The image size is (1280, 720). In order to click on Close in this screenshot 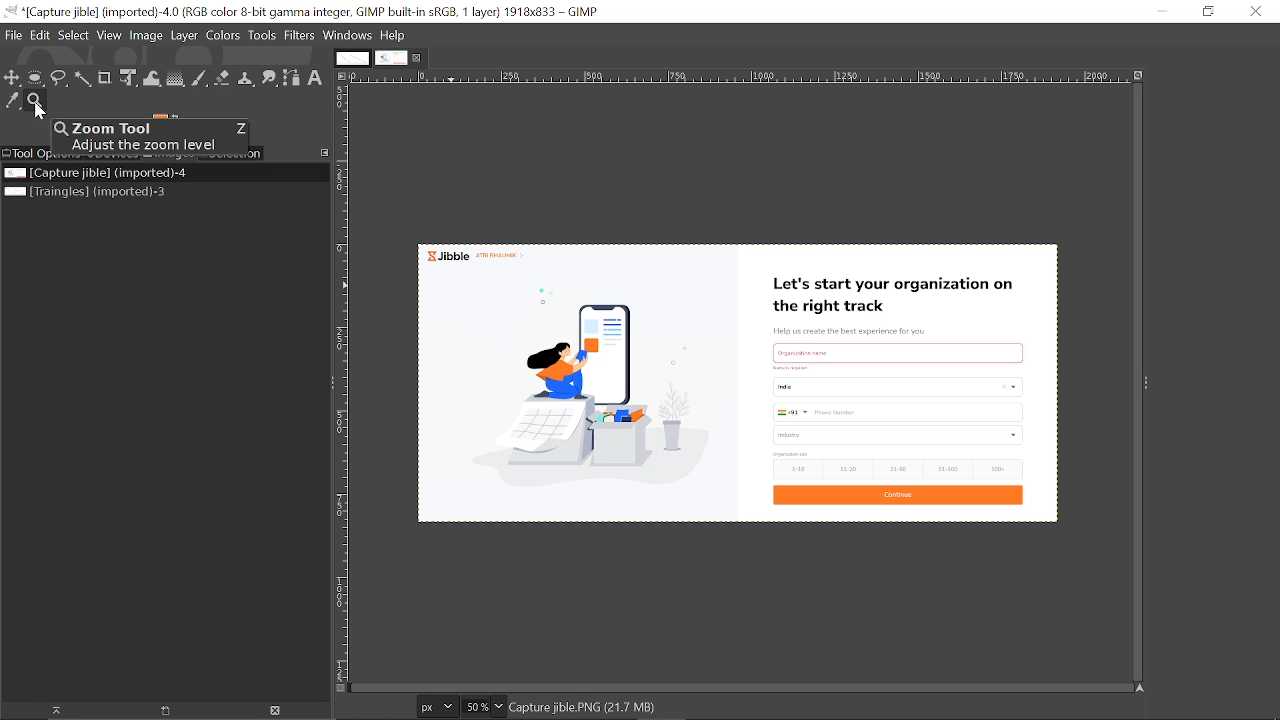, I will do `click(1255, 13)`.